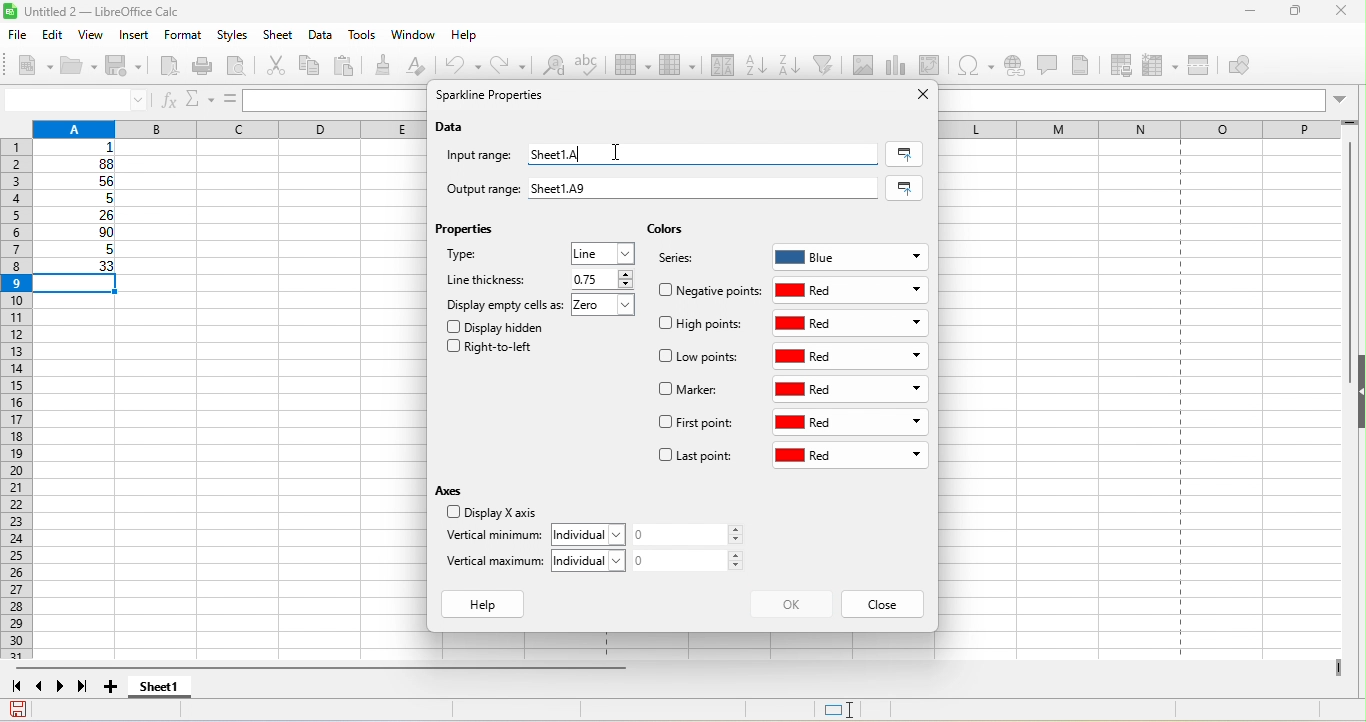 The width and height of the screenshot is (1366, 722). I want to click on negative points, so click(710, 290).